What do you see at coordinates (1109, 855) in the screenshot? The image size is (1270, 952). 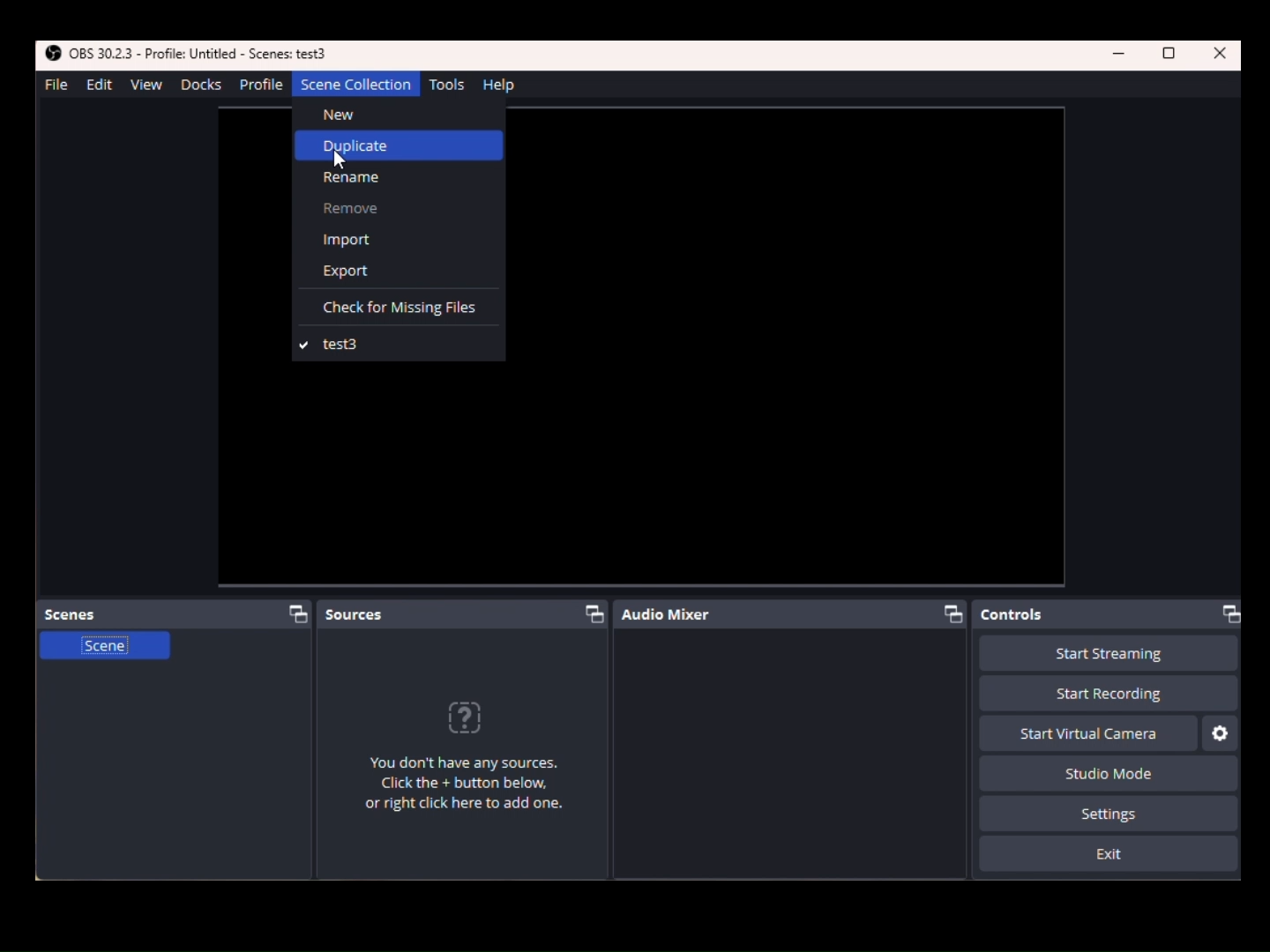 I see `Exit` at bounding box center [1109, 855].